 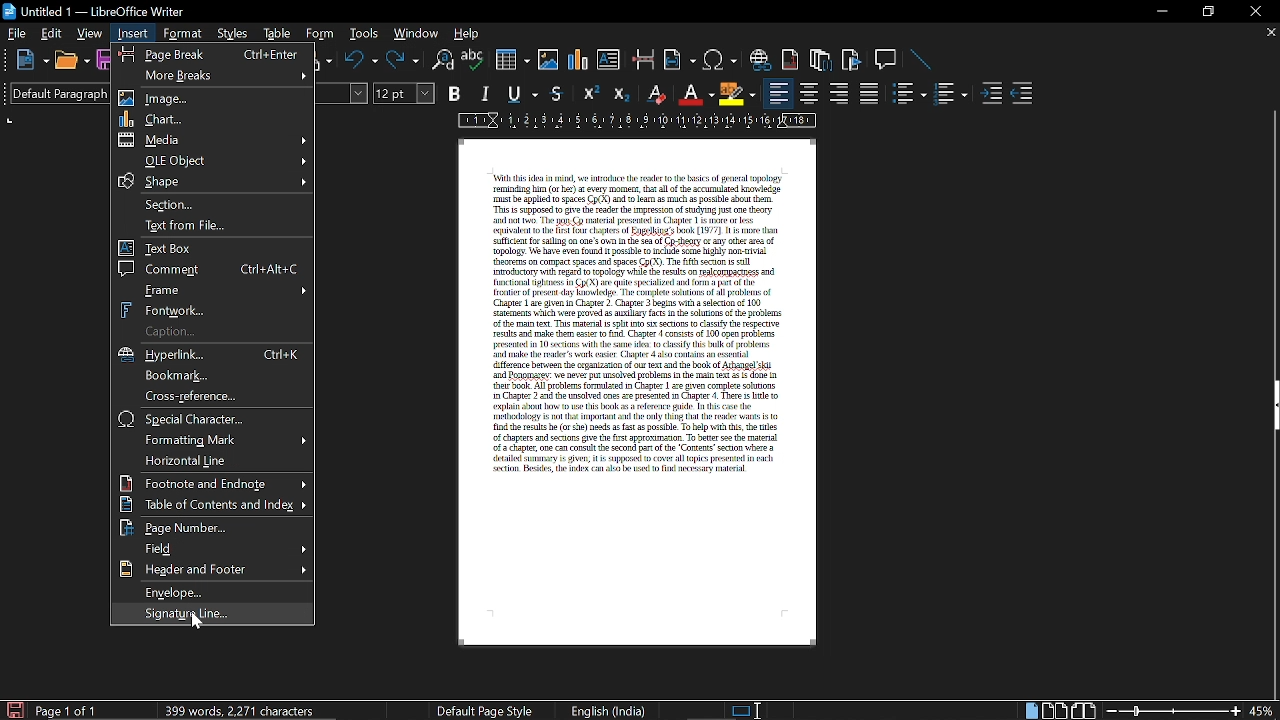 What do you see at coordinates (1024, 94) in the screenshot?
I see `decrease indent` at bounding box center [1024, 94].